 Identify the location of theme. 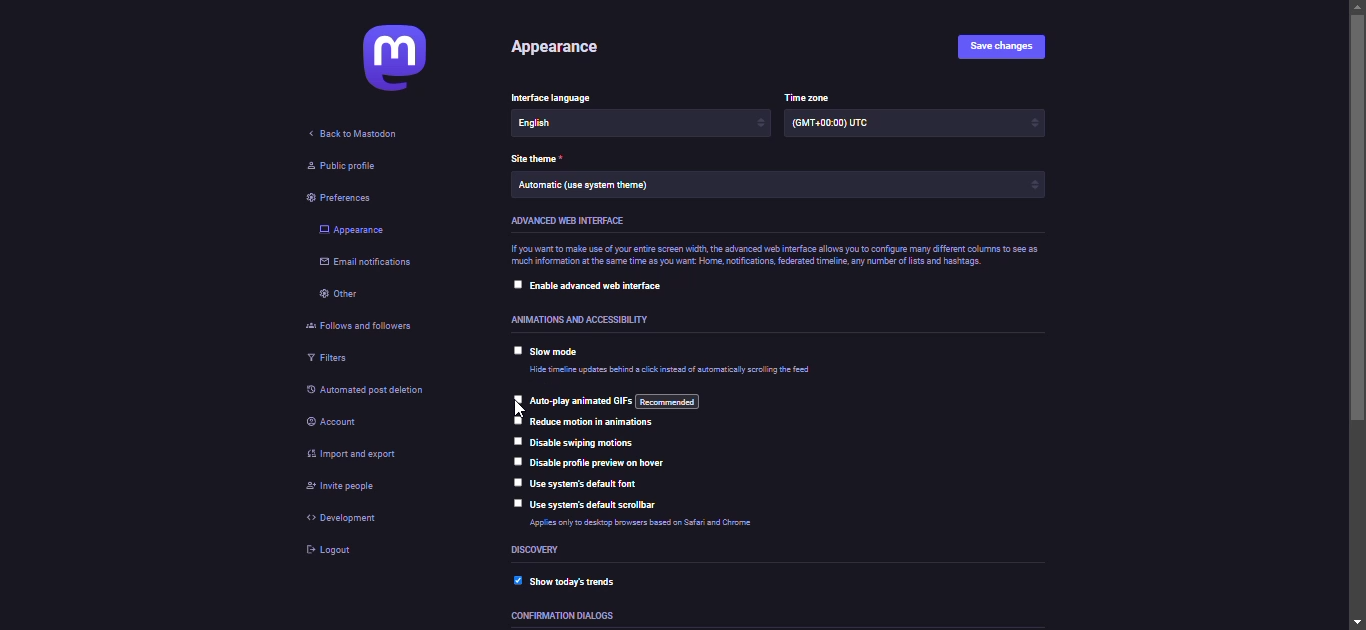
(534, 159).